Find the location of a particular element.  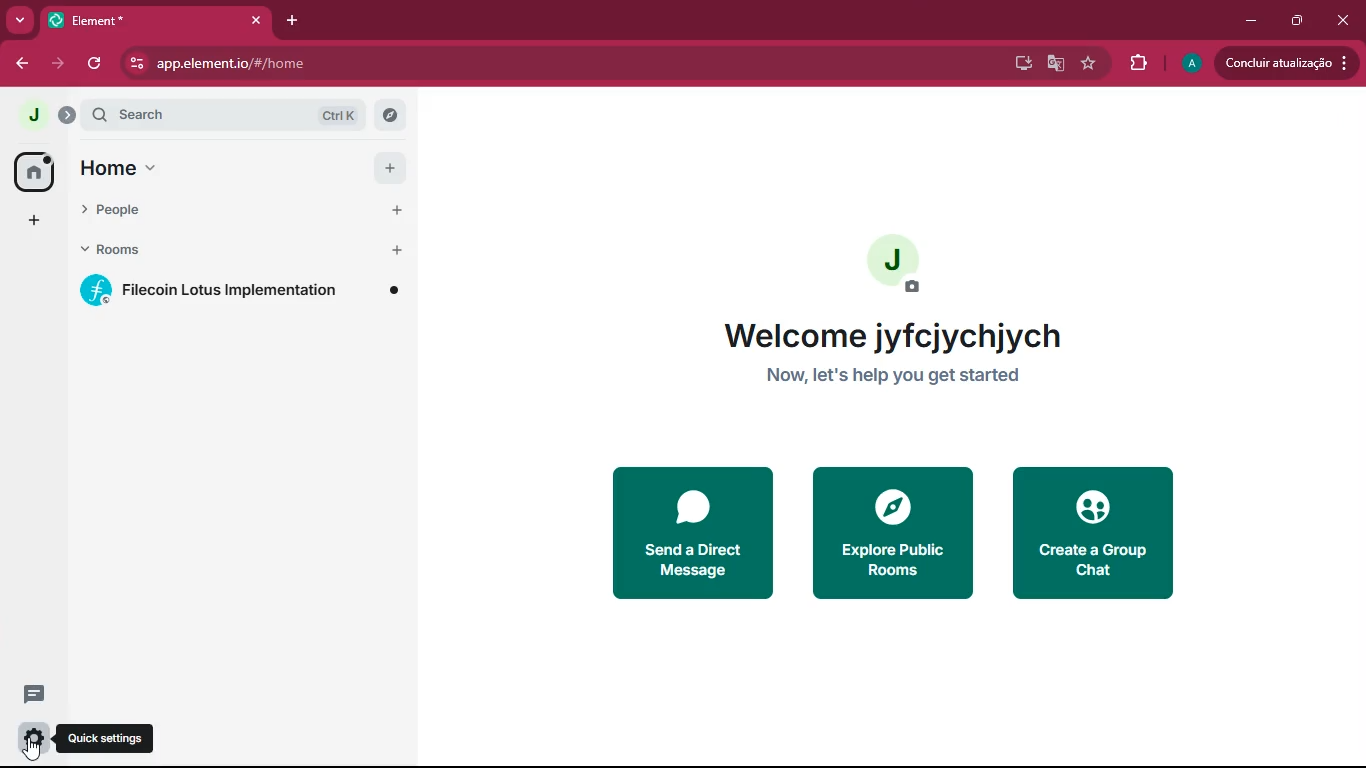

a is located at coordinates (1192, 64).